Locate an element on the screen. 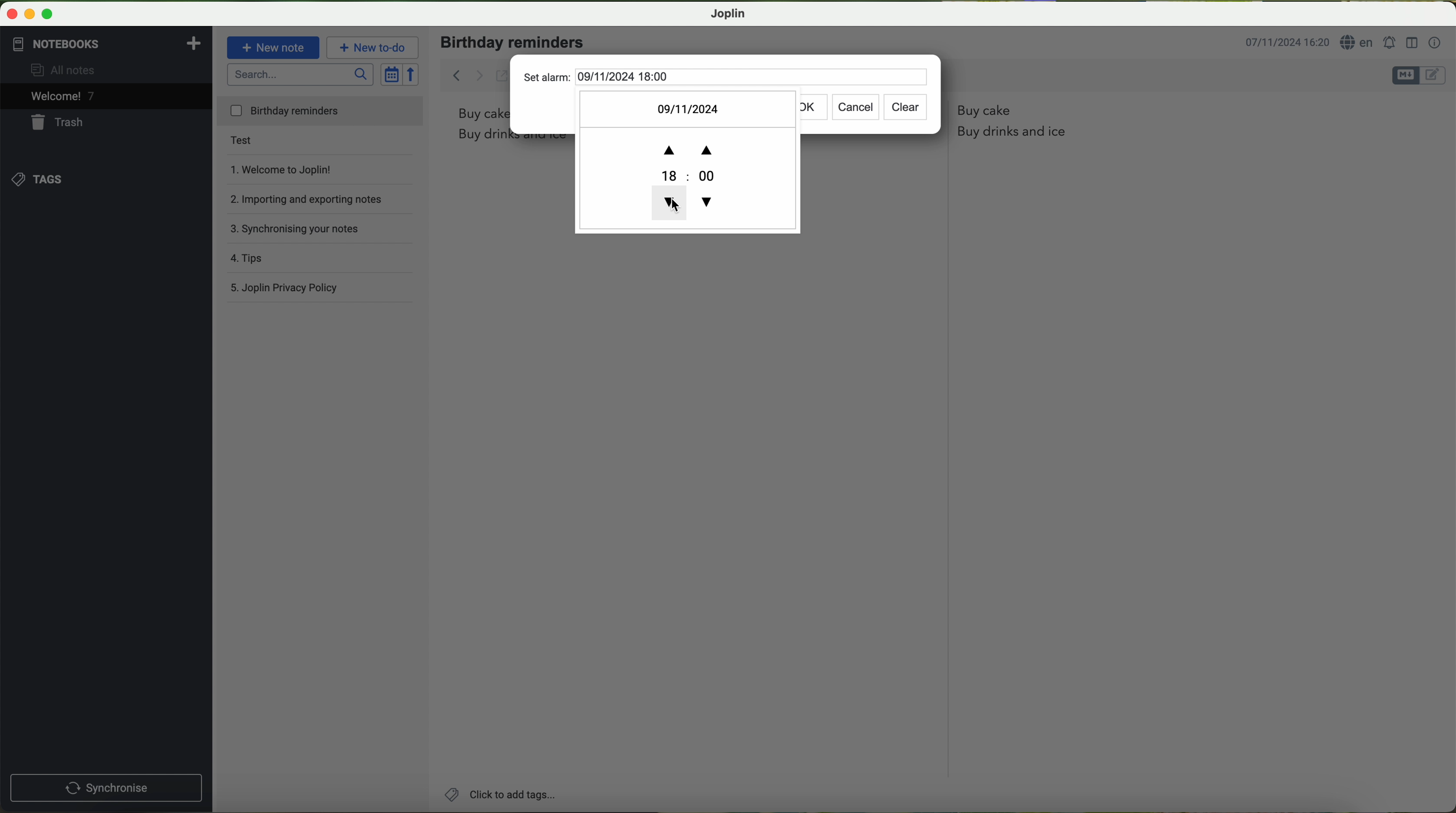 Image resolution: width=1456 pixels, height=813 pixels. Joplin privacy policy is located at coordinates (285, 285).